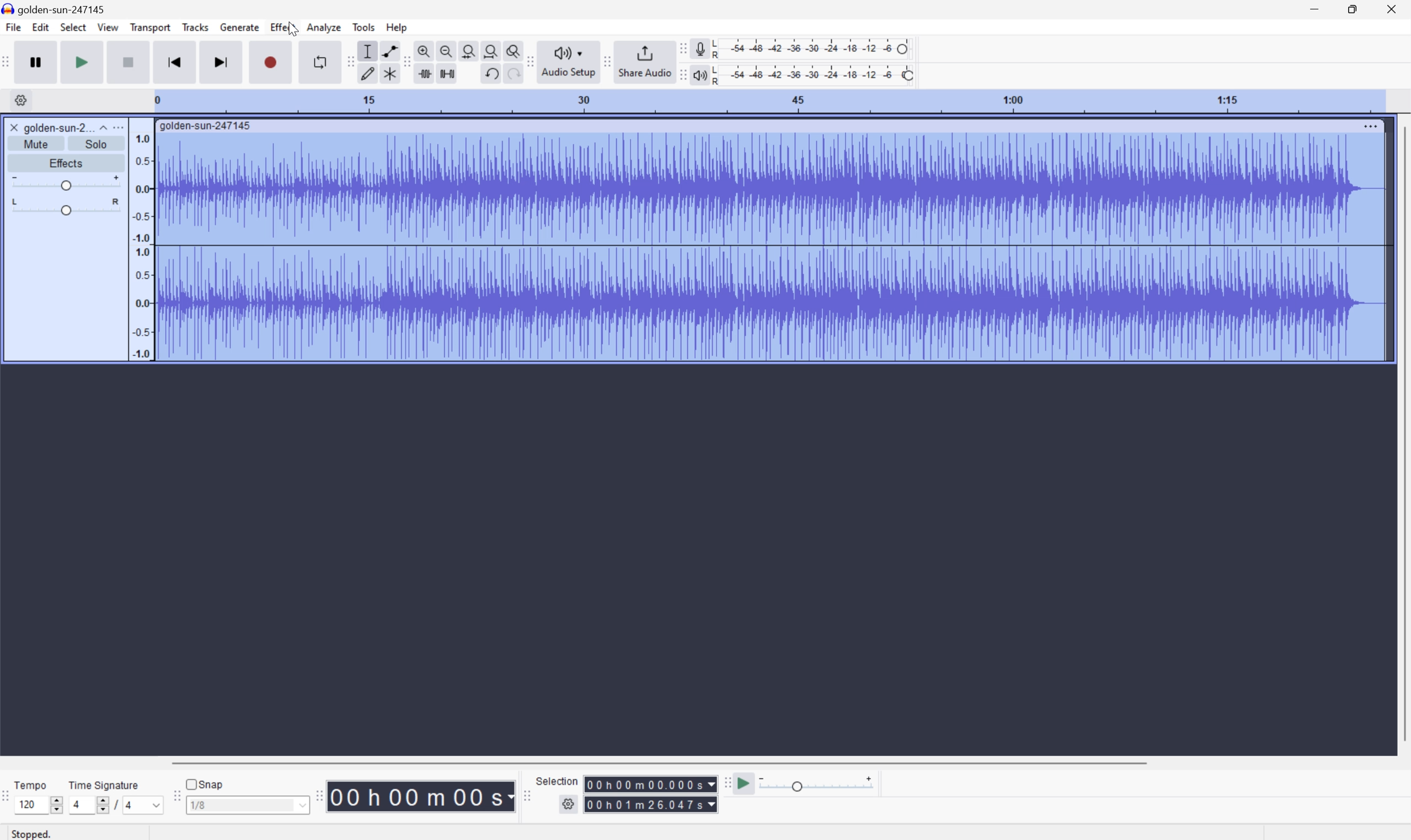 Image resolution: width=1411 pixels, height=840 pixels. Describe the element at coordinates (570, 807) in the screenshot. I see `Settings` at that location.